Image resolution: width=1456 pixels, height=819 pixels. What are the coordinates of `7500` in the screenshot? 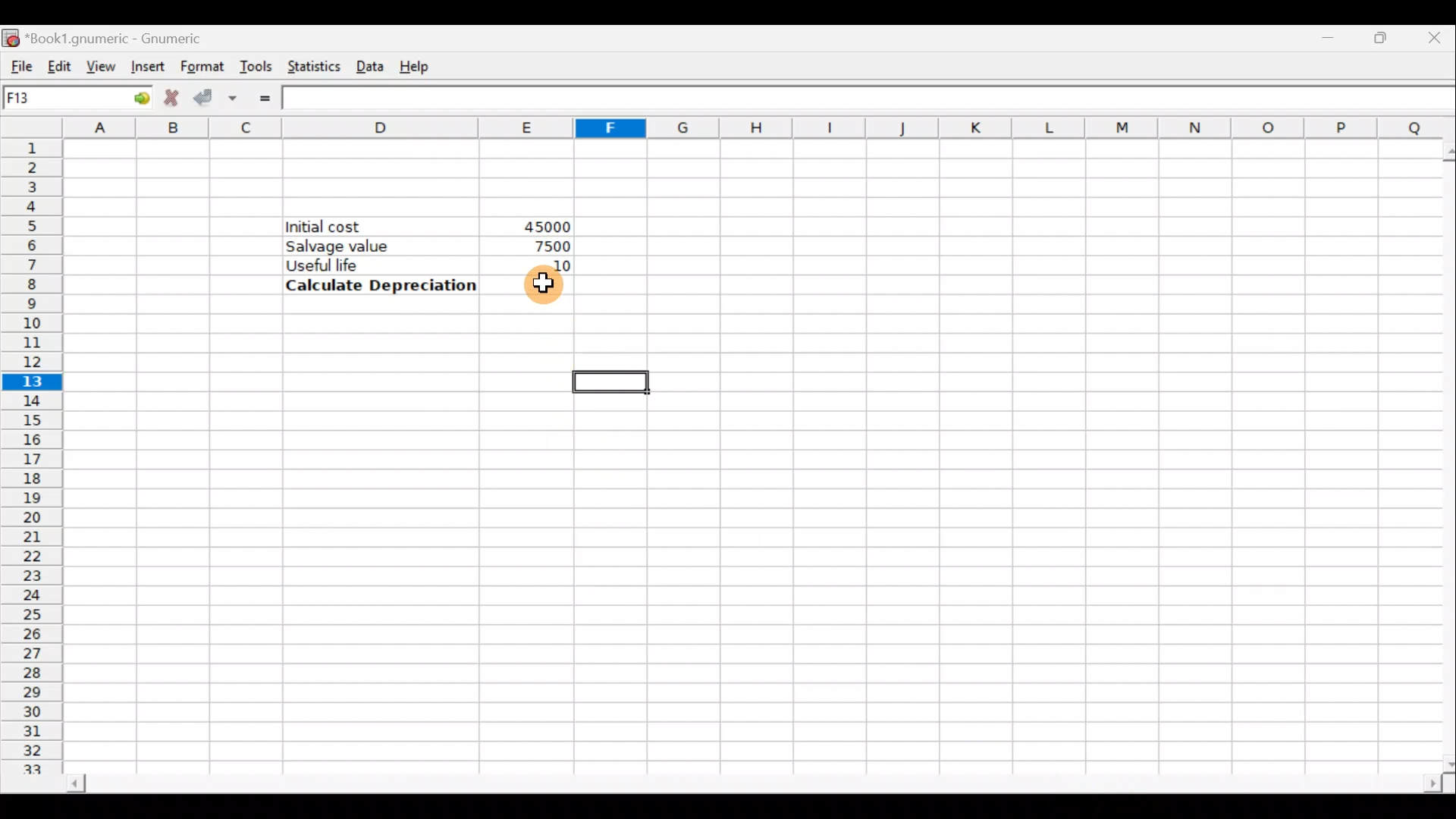 It's located at (545, 246).